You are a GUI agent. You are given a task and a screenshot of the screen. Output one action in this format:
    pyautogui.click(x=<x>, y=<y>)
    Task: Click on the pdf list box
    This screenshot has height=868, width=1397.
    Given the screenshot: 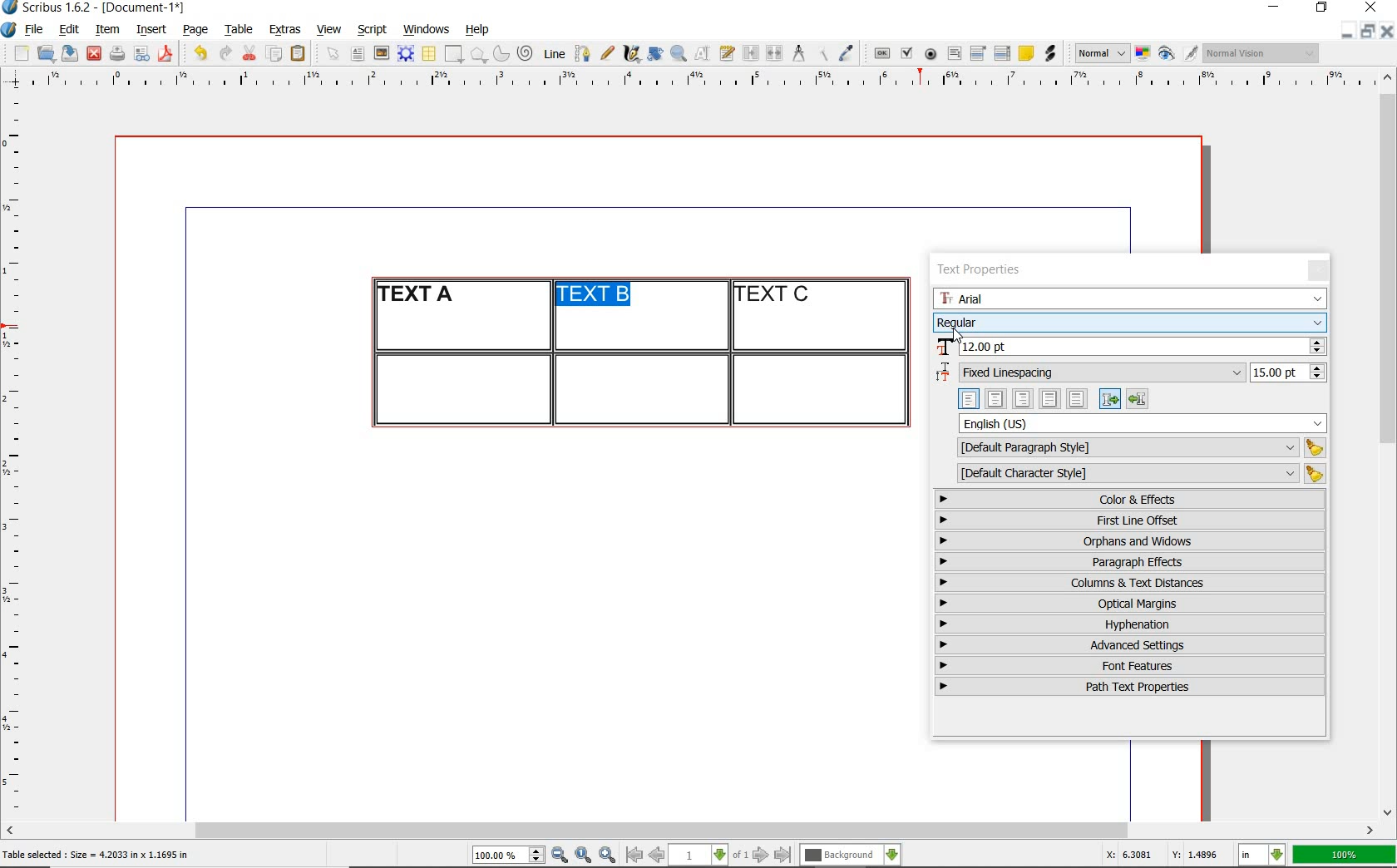 What is the action you would take?
    pyautogui.click(x=1003, y=53)
    